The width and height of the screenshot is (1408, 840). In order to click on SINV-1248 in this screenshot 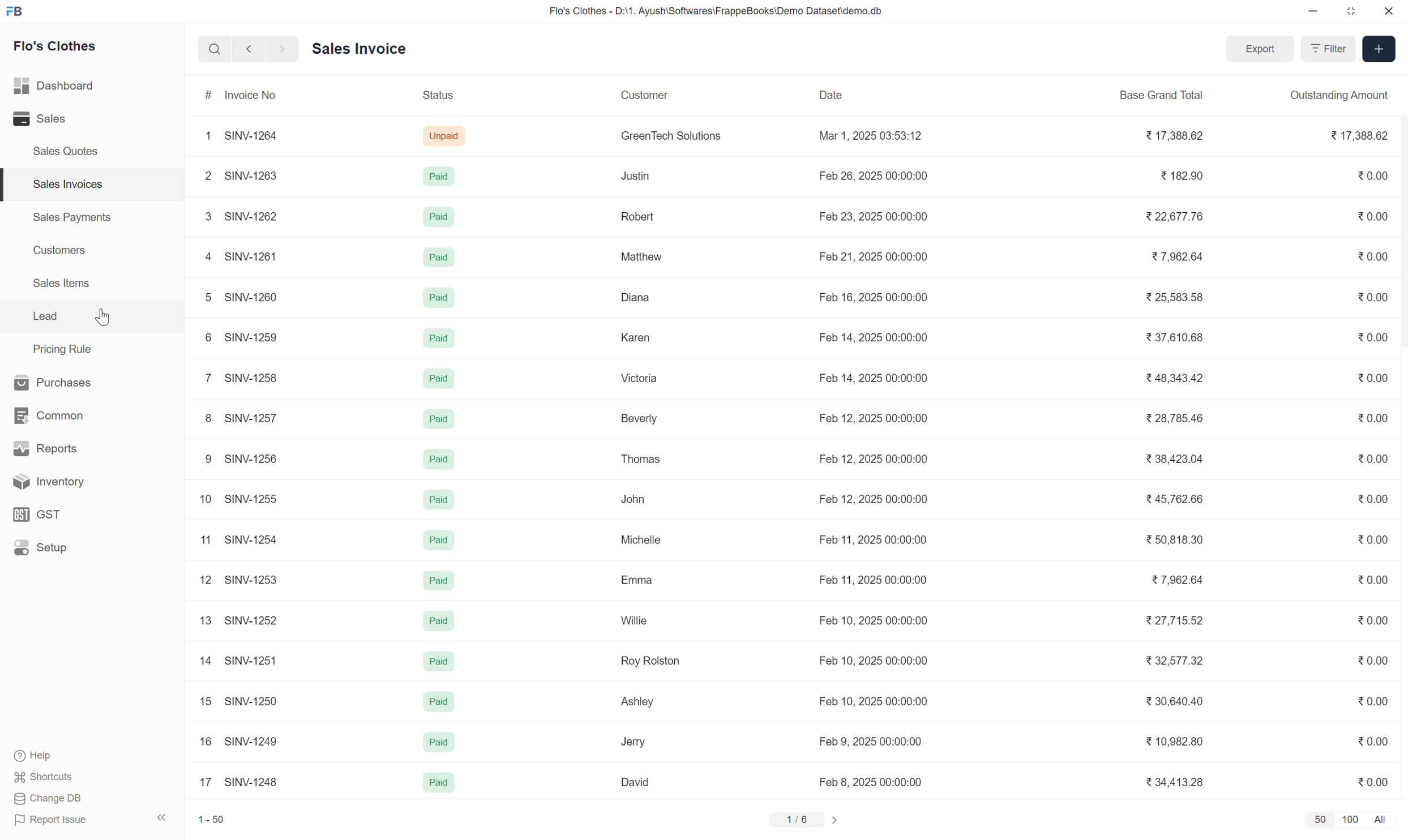, I will do `click(251, 782)`.